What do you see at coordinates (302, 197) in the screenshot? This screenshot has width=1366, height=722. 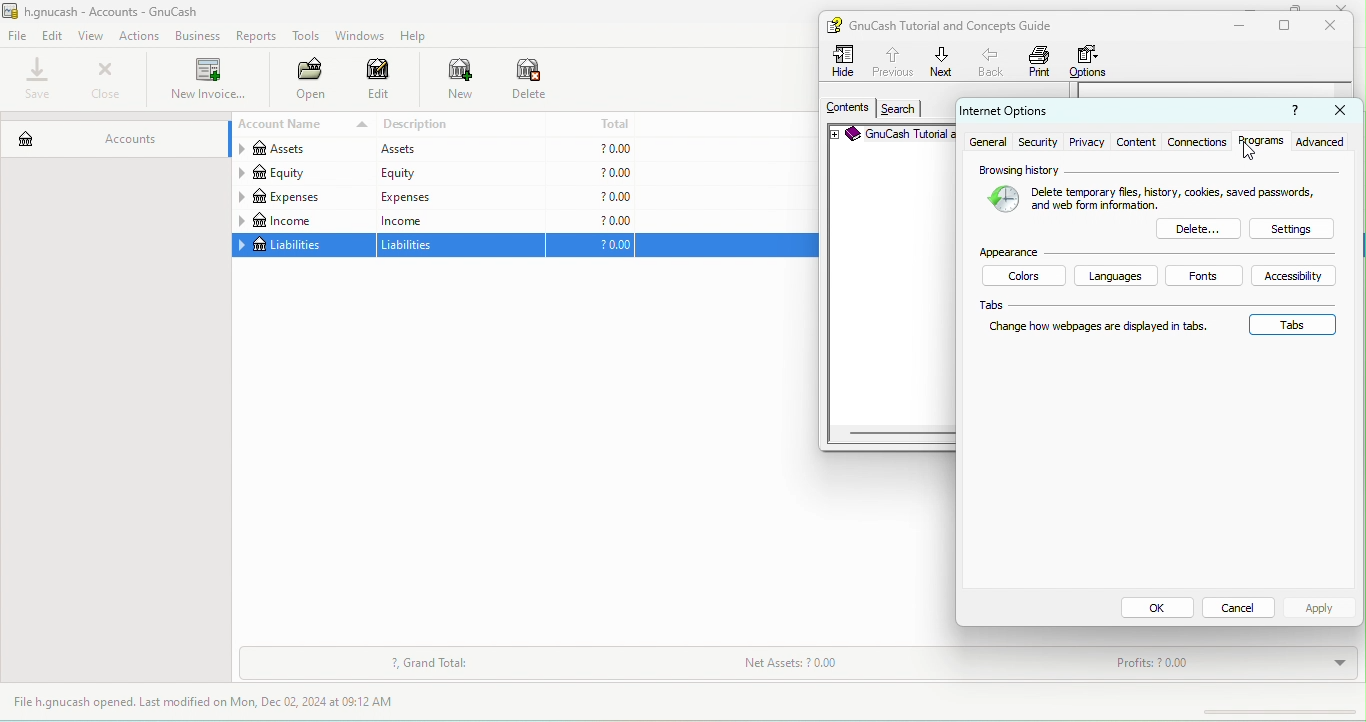 I see `expenses` at bounding box center [302, 197].